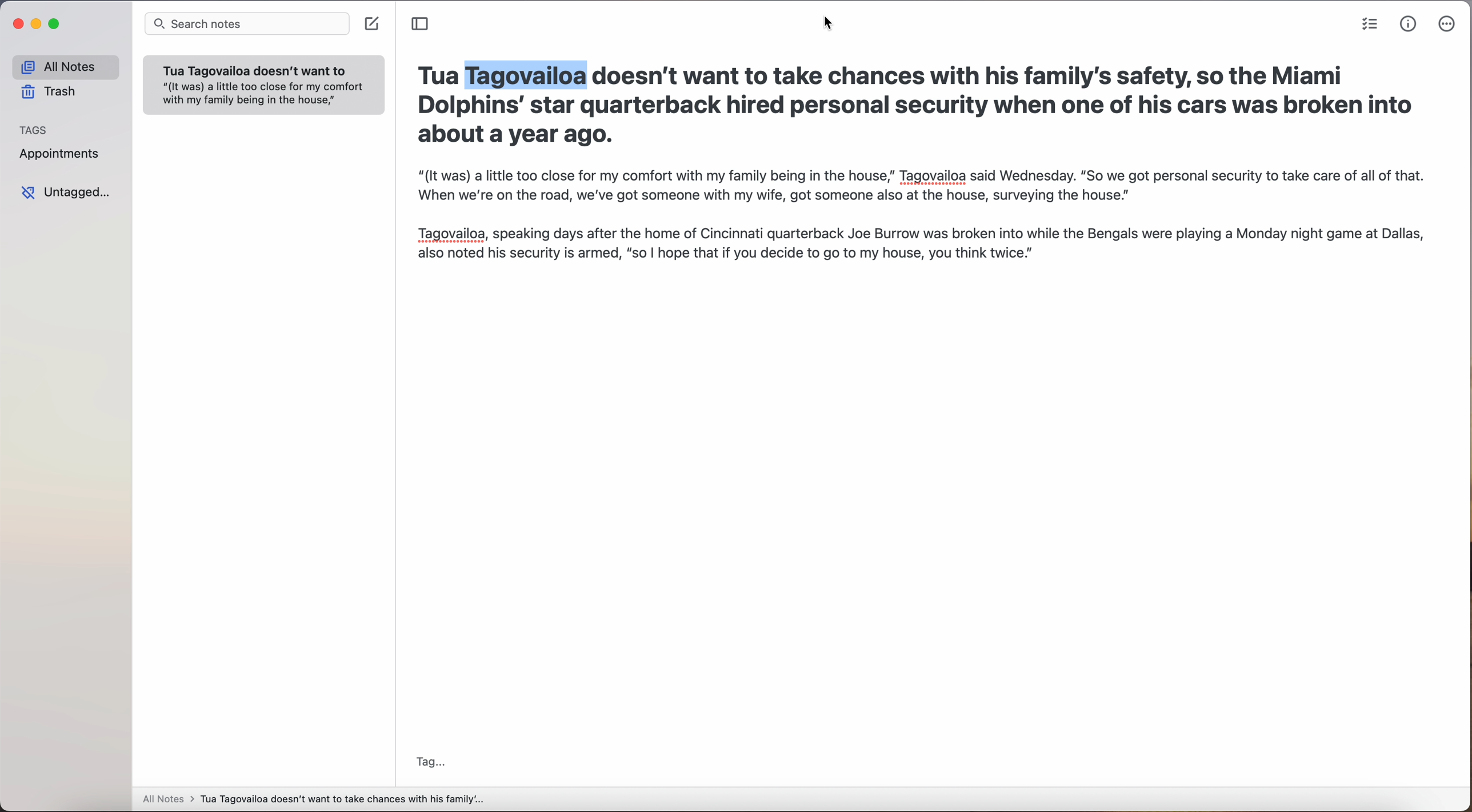 The width and height of the screenshot is (1472, 812). Describe the element at coordinates (69, 194) in the screenshot. I see `untagged` at that location.